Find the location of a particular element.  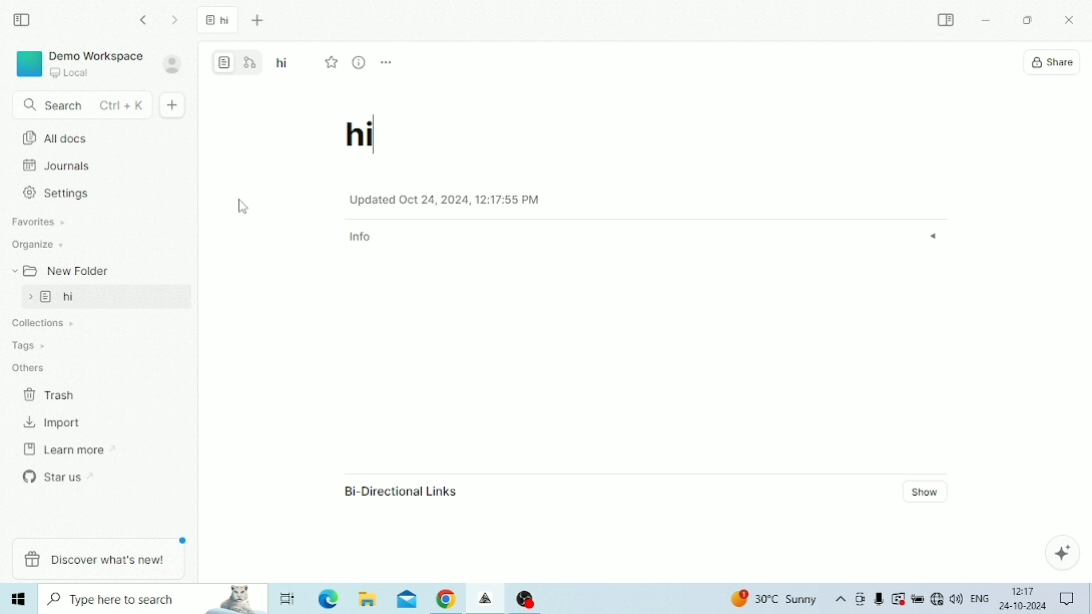

Show is located at coordinates (928, 491).